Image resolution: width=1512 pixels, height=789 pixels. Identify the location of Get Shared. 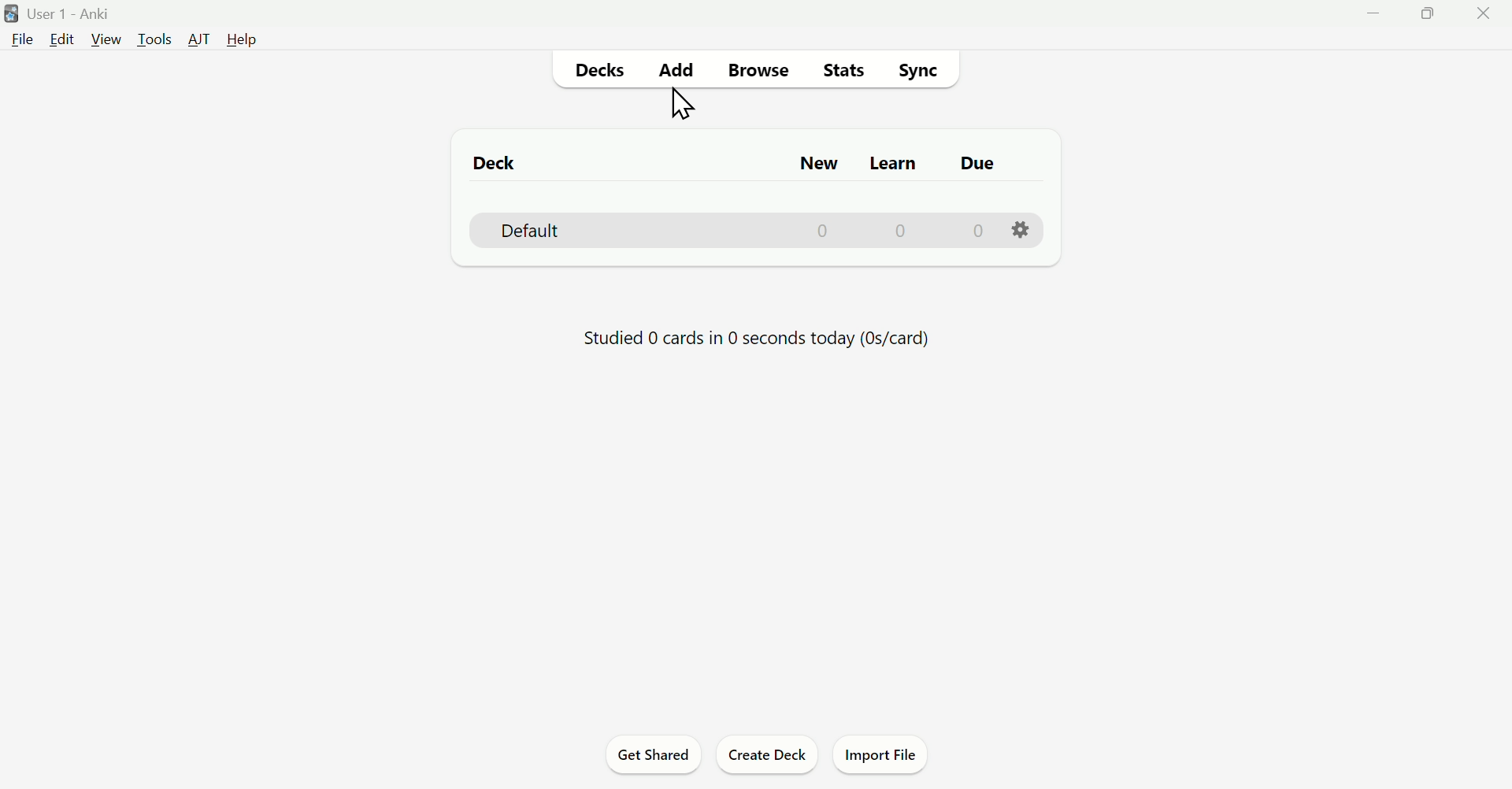
(647, 756).